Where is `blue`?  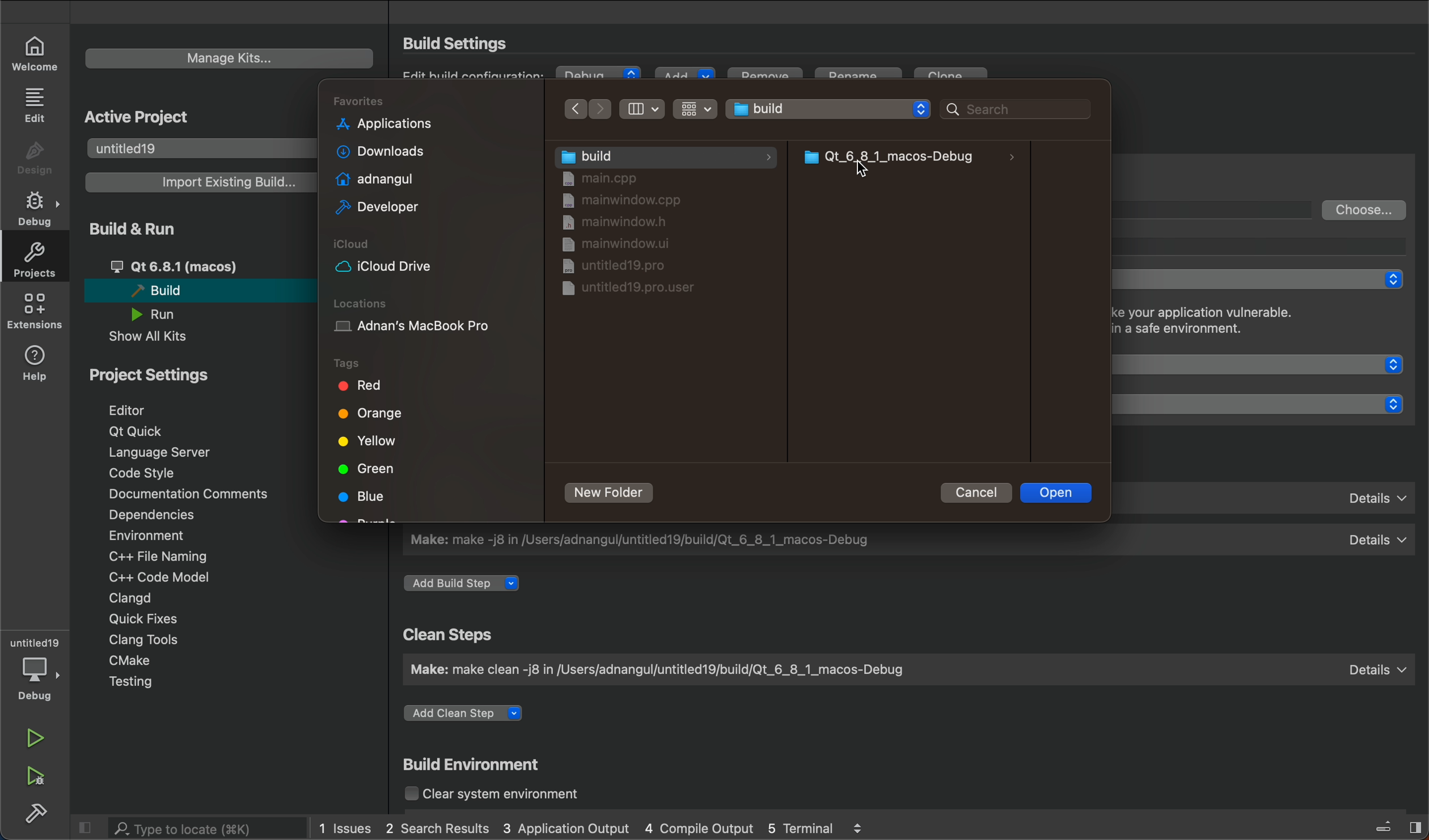
blue is located at coordinates (365, 498).